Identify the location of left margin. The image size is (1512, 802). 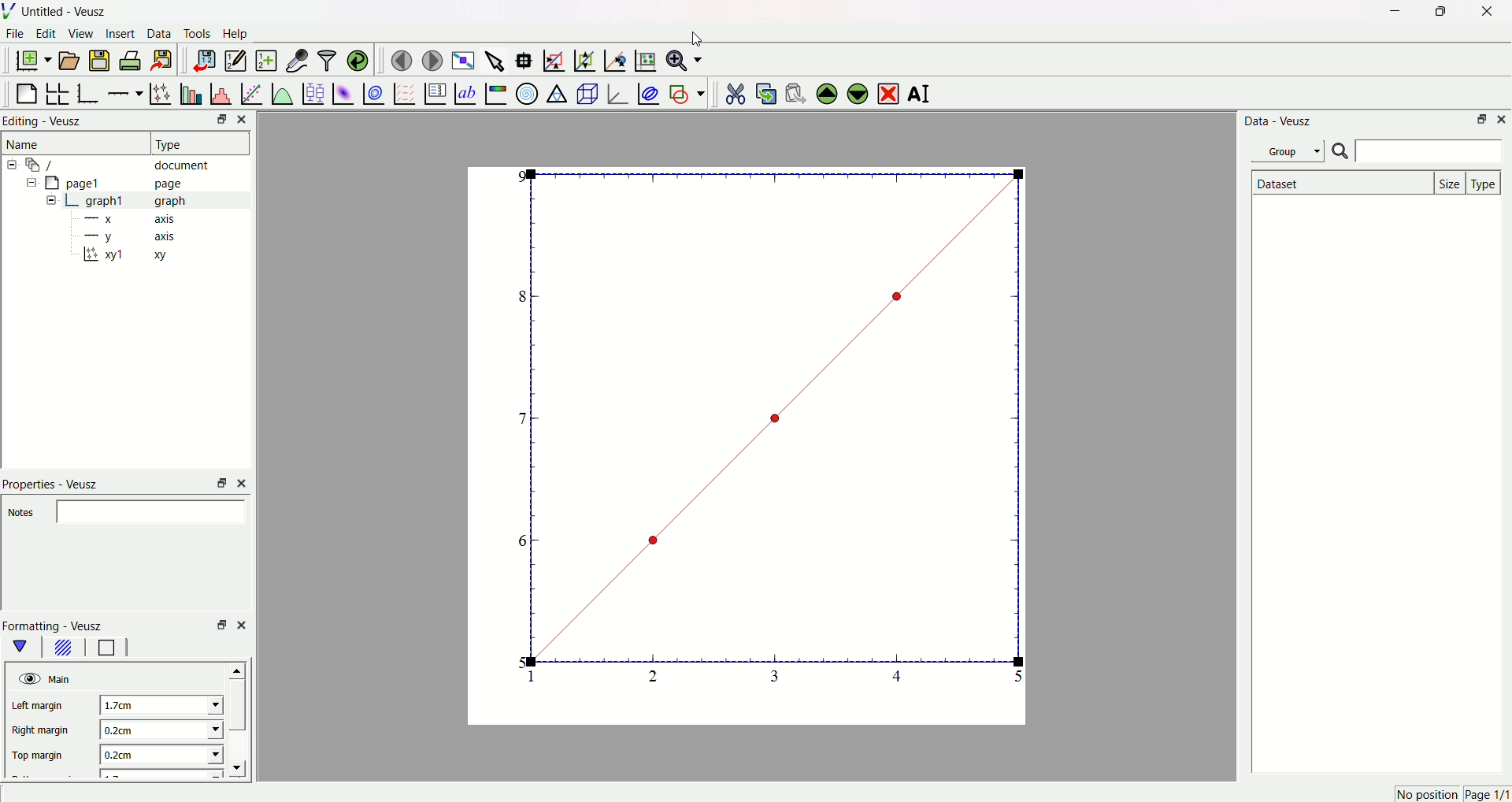
(42, 707).